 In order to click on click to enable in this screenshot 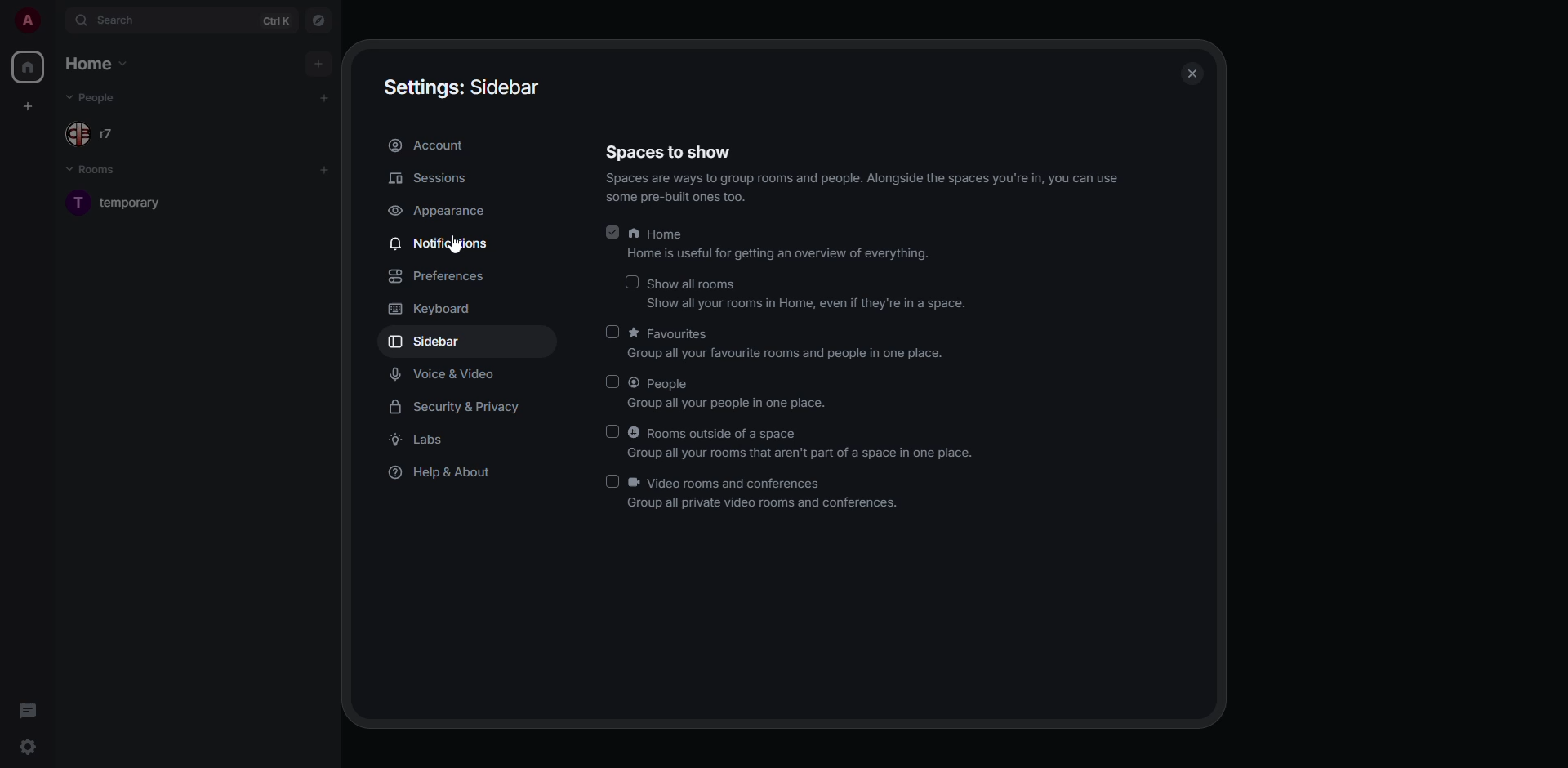, I will do `click(613, 431)`.